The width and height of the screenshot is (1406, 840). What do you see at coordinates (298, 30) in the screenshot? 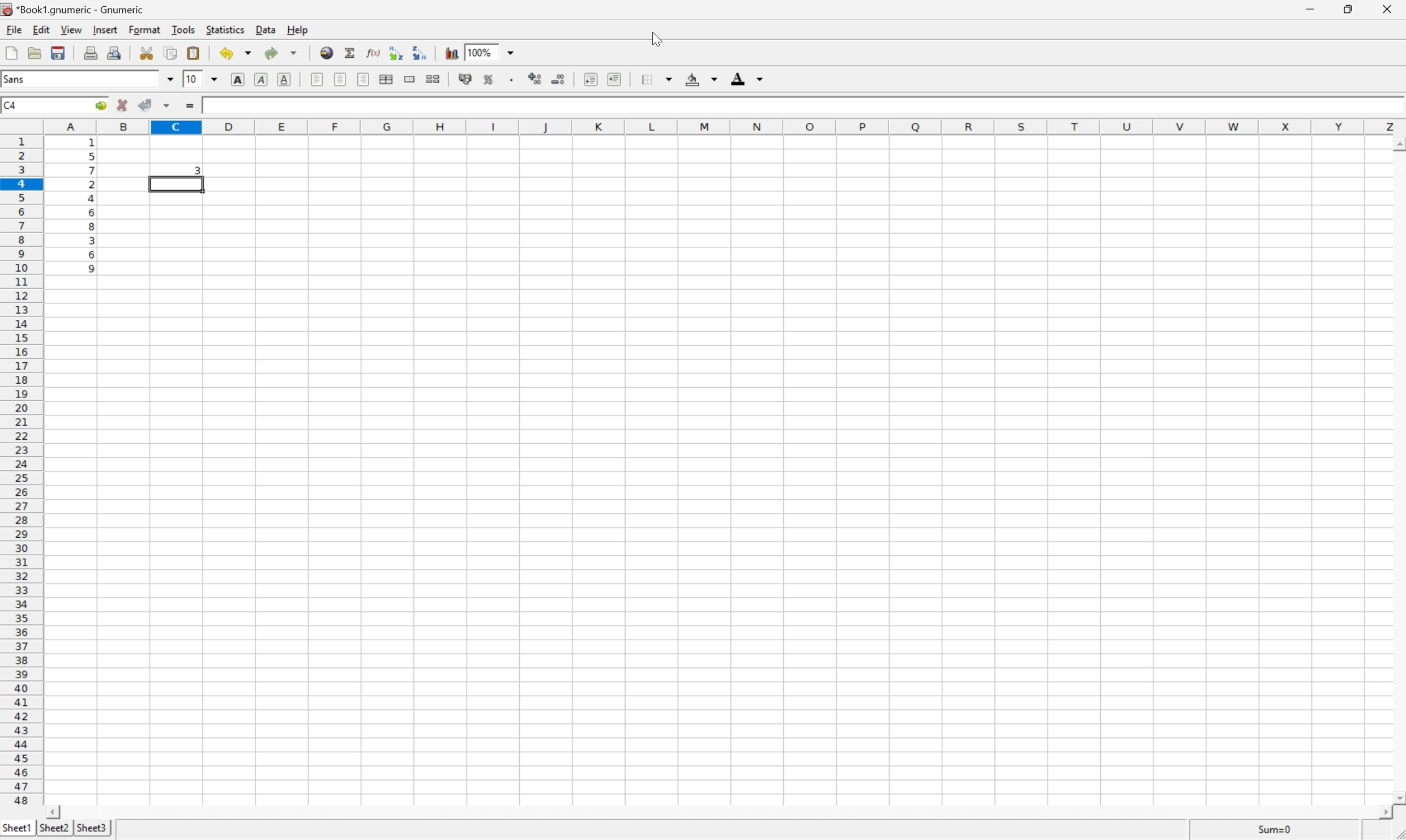
I see `help` at bounding box center [298, 30].